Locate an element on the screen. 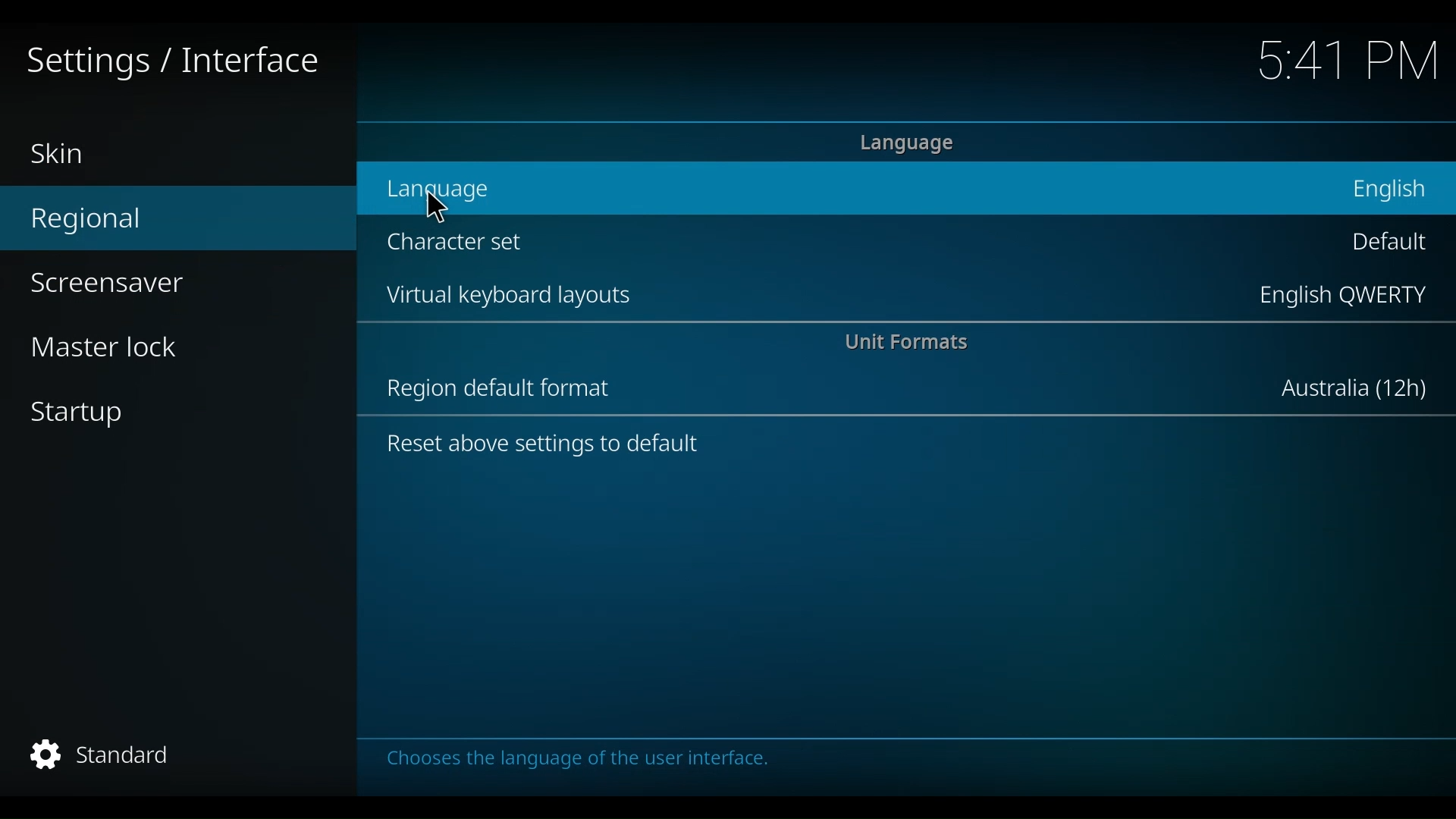  Virtual keyboard layouts English QWERTY is located at coordinates (902, 297).